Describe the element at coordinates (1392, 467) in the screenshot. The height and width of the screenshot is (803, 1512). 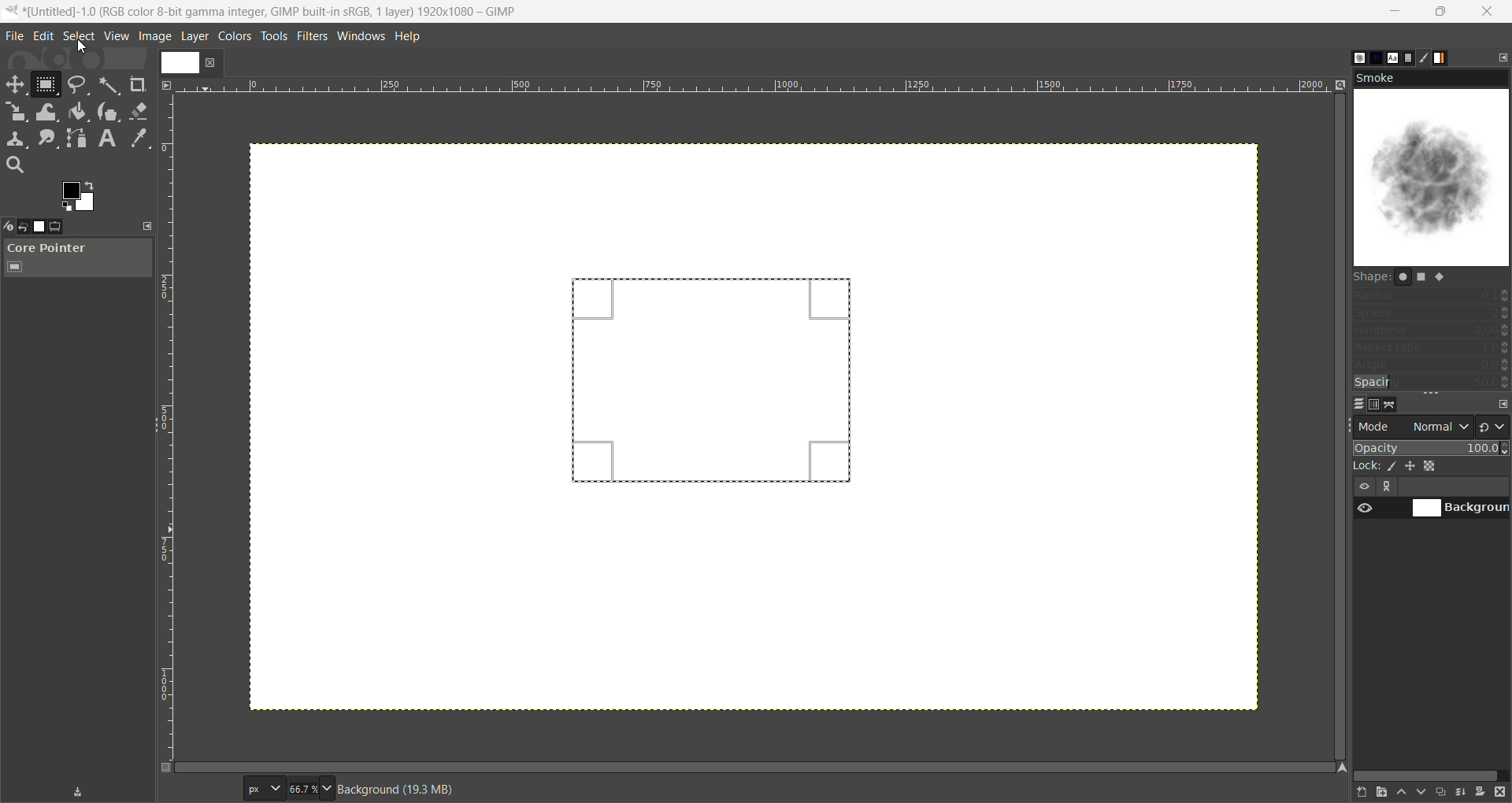
I see `lock pixels` at that location.